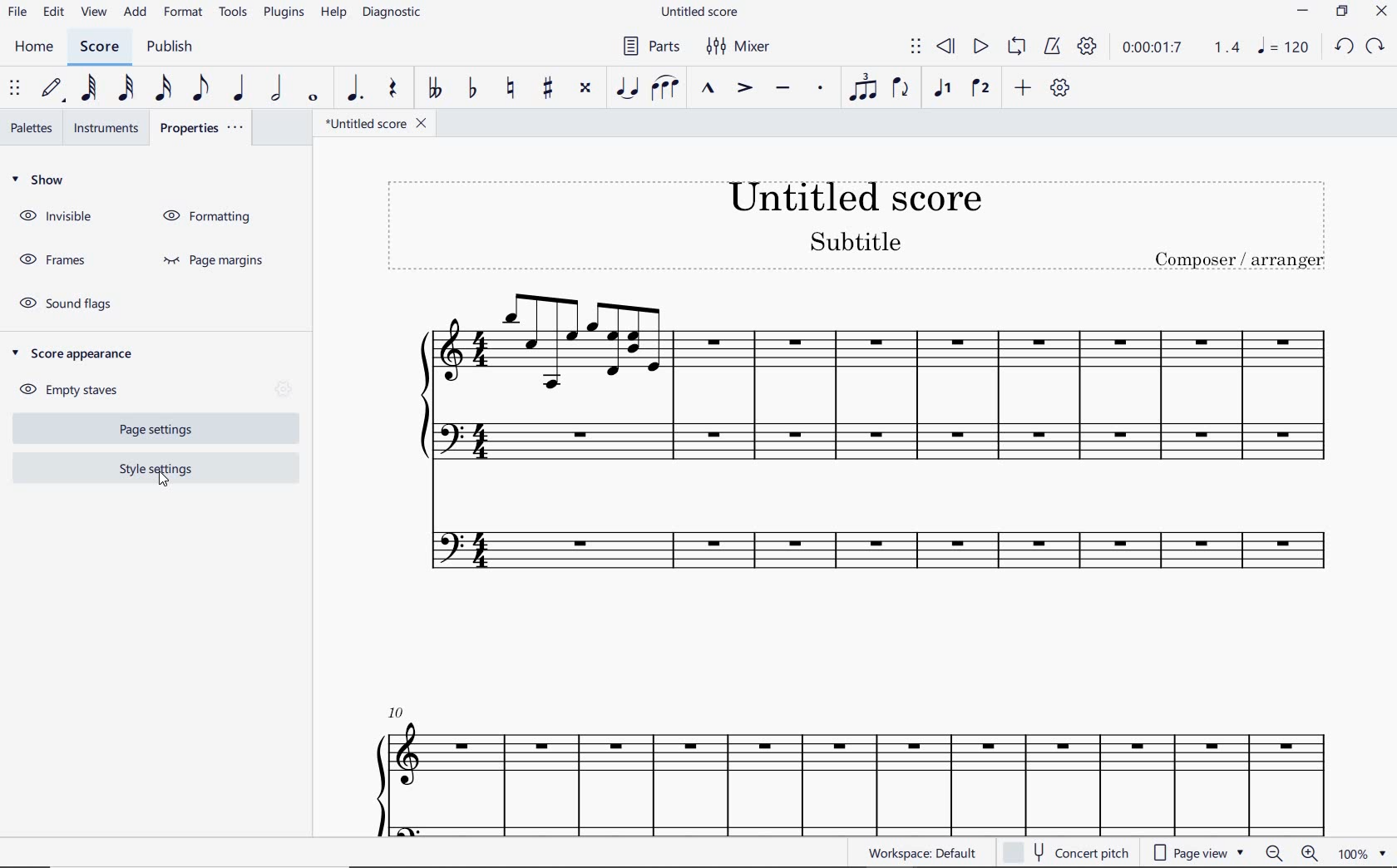 The height and width of the screenshot is (868, 1397). What do you see at coordinates (1197, 852) in the screenshot?
I see `page view` at bounding box center [1197, 852].